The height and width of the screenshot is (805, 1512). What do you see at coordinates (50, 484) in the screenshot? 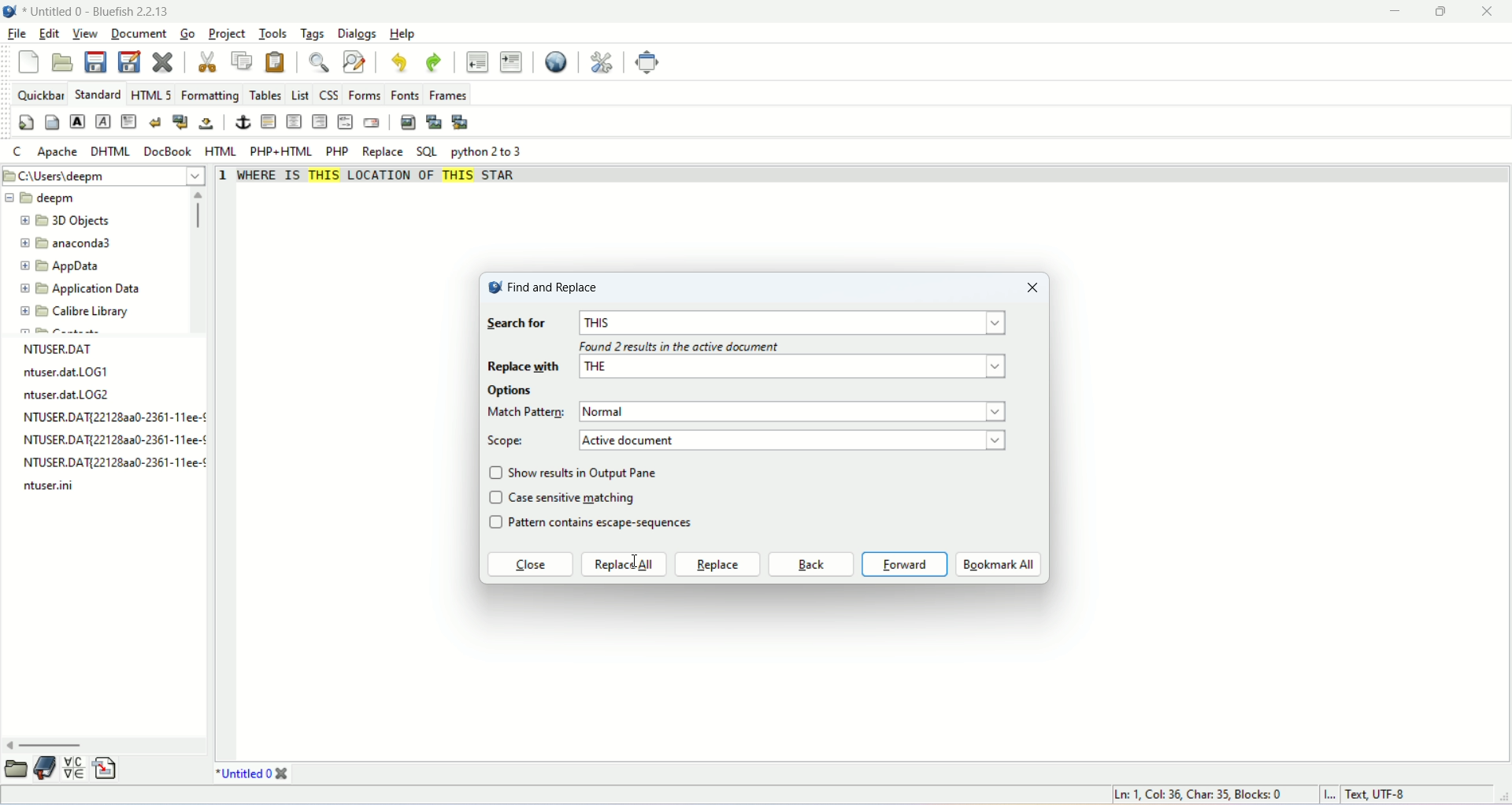
I see `file name` at bounding box center [50, 484].